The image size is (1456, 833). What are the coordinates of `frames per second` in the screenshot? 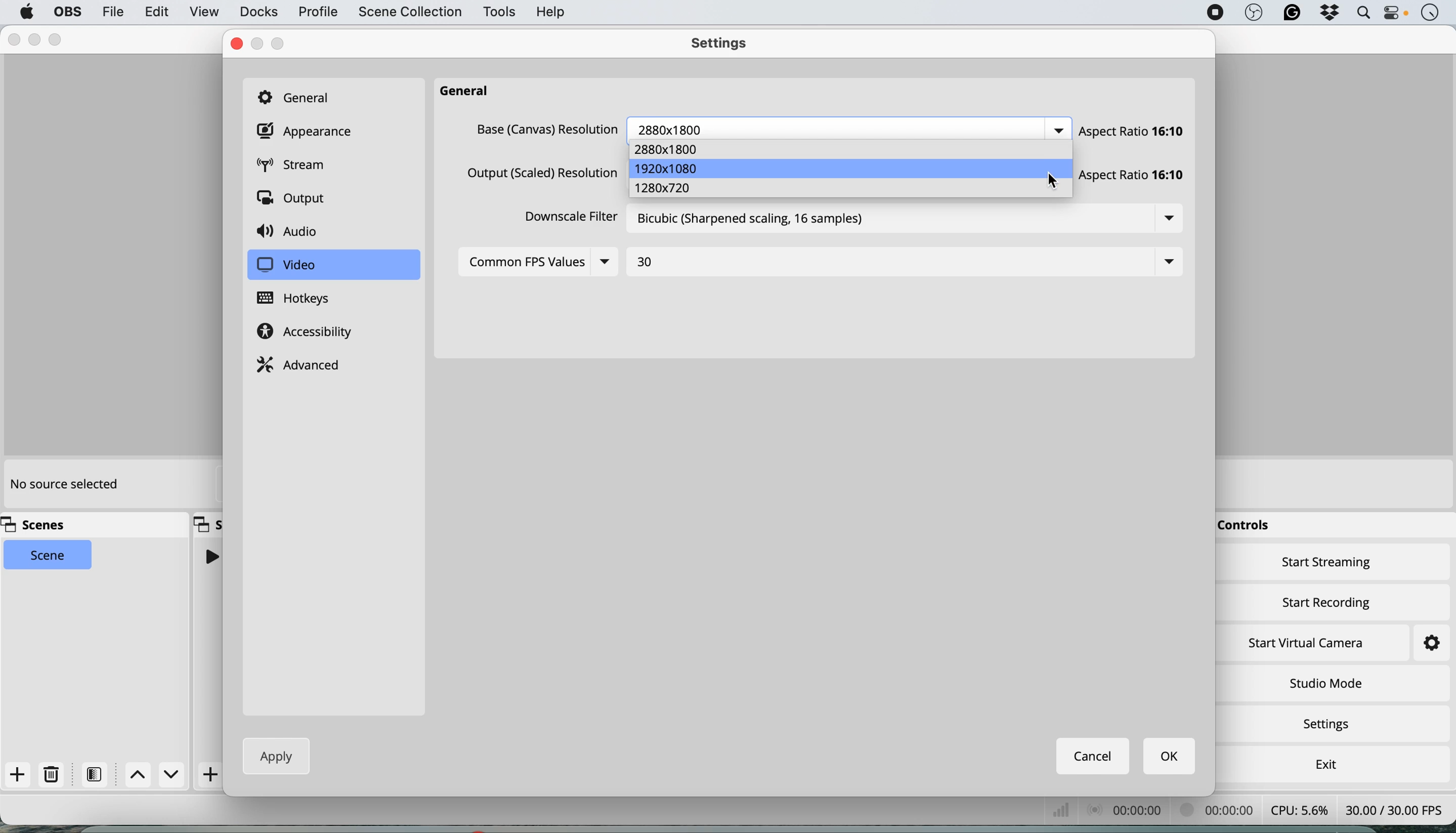 It's located at (1063, 810).